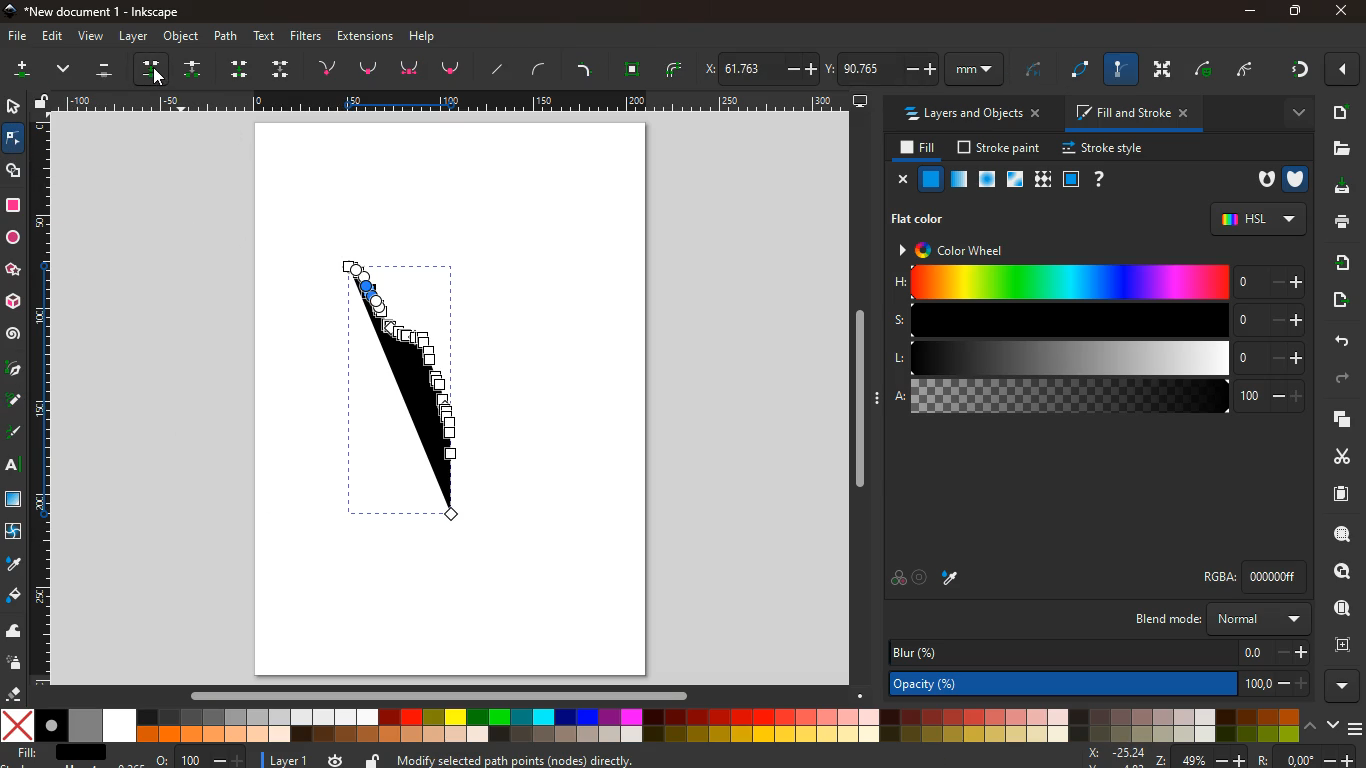 This screenshot has width=1366, height=768. Describe the element at coordinates (331, 66) in the screenshot. I see `join` at that location.